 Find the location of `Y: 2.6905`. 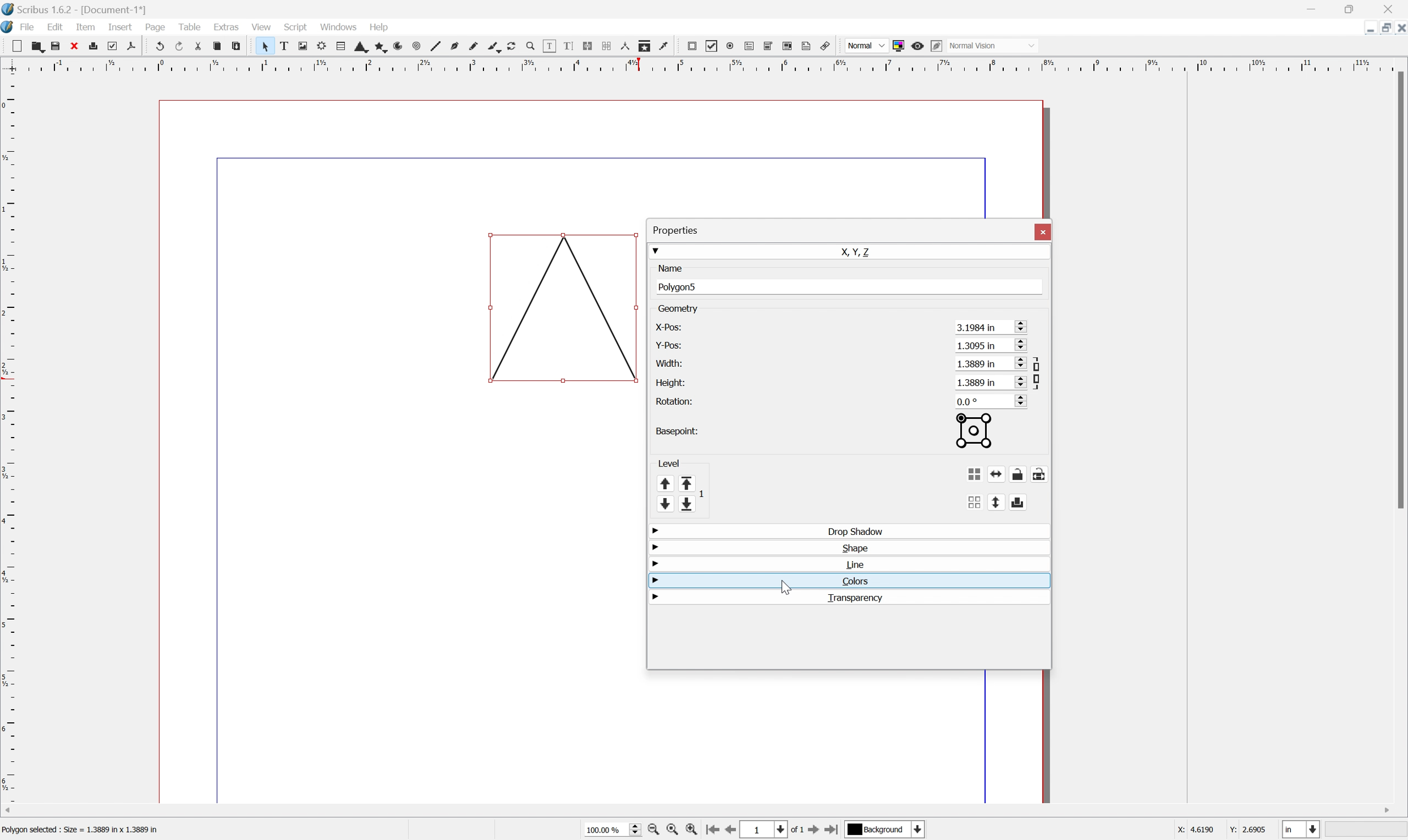

Y: 2.6905 is located at coordinates (1248, 830).